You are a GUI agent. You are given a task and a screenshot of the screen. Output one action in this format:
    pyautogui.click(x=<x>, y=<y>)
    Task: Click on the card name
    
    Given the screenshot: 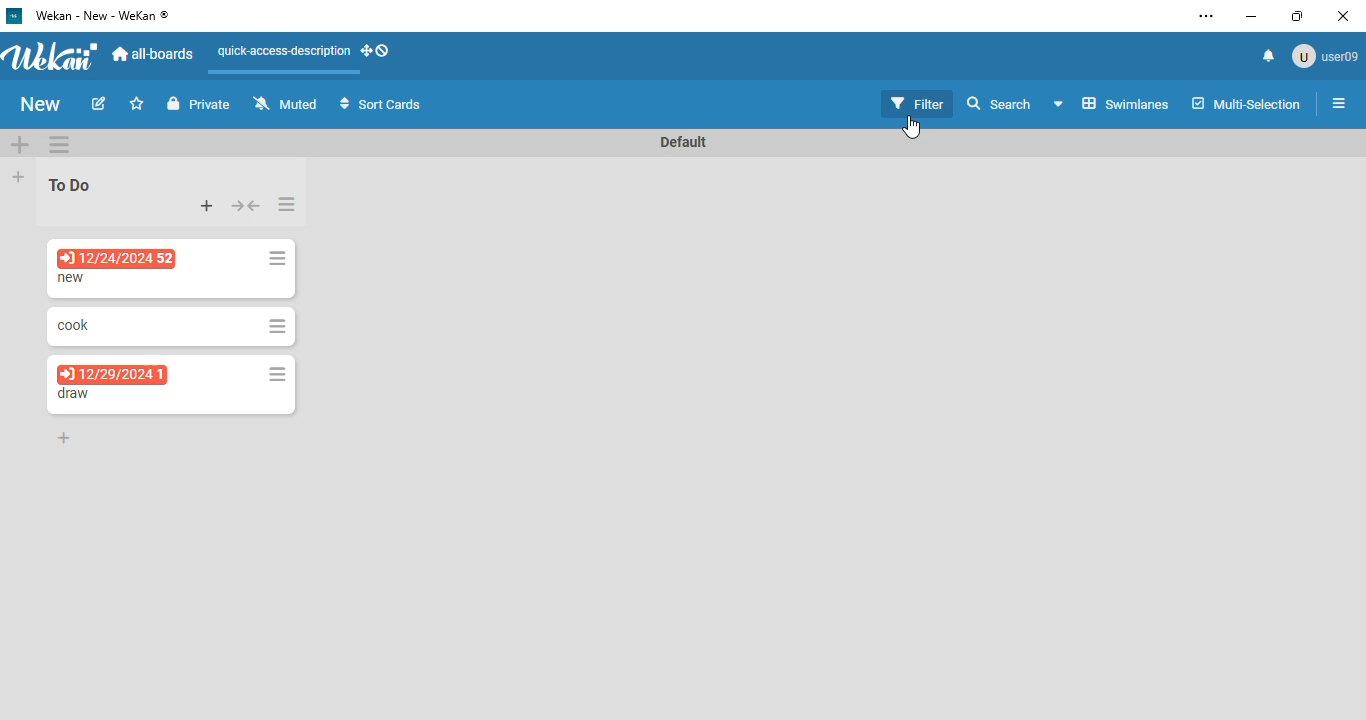 What is the action you would take?
    pyautogui.click(x=84, y=327)
    